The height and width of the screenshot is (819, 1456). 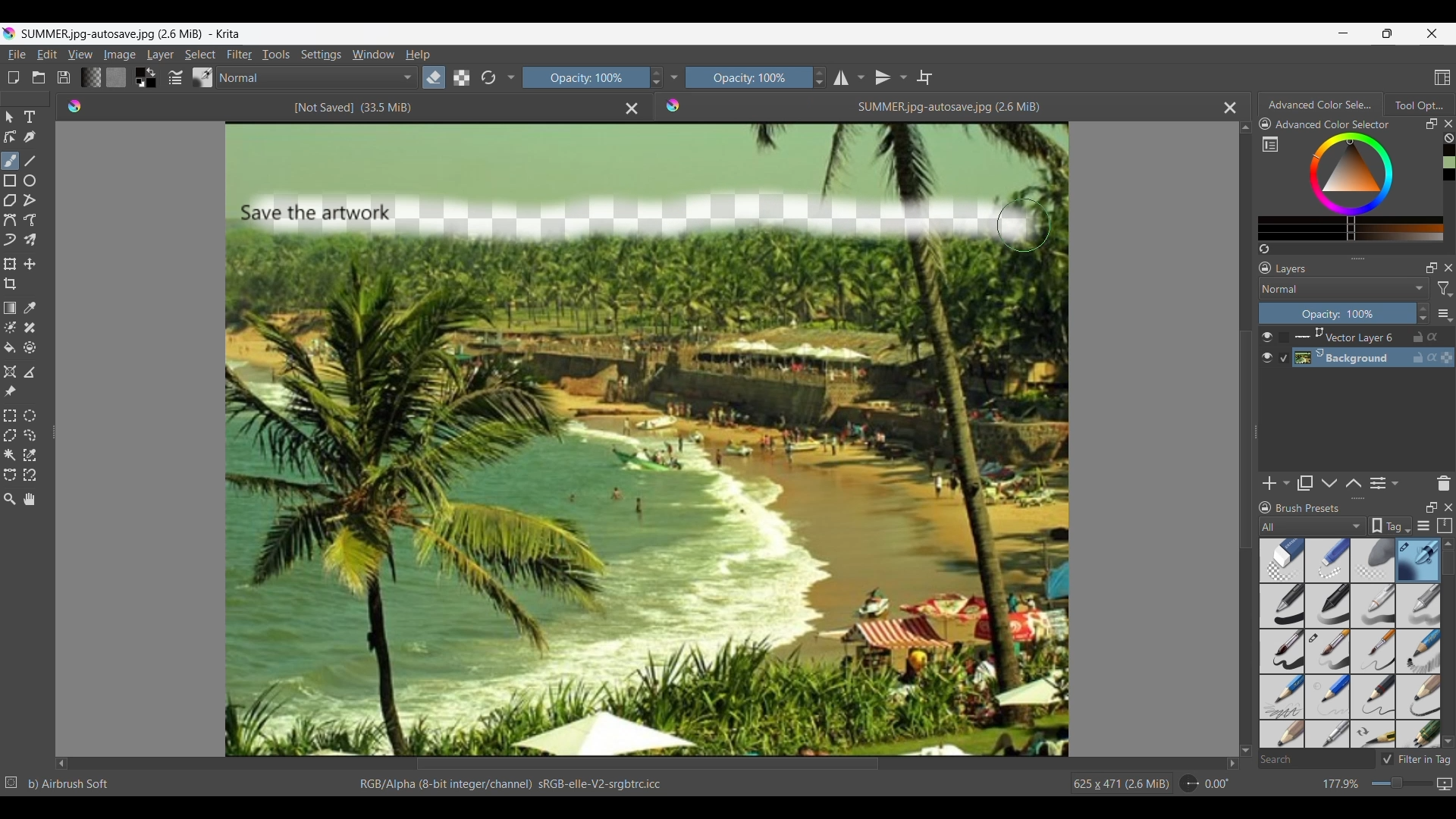 What do you see at coordinates (30, 137) in the screenshot?
I see `Calligraphy` at bounding box center [30, 137].